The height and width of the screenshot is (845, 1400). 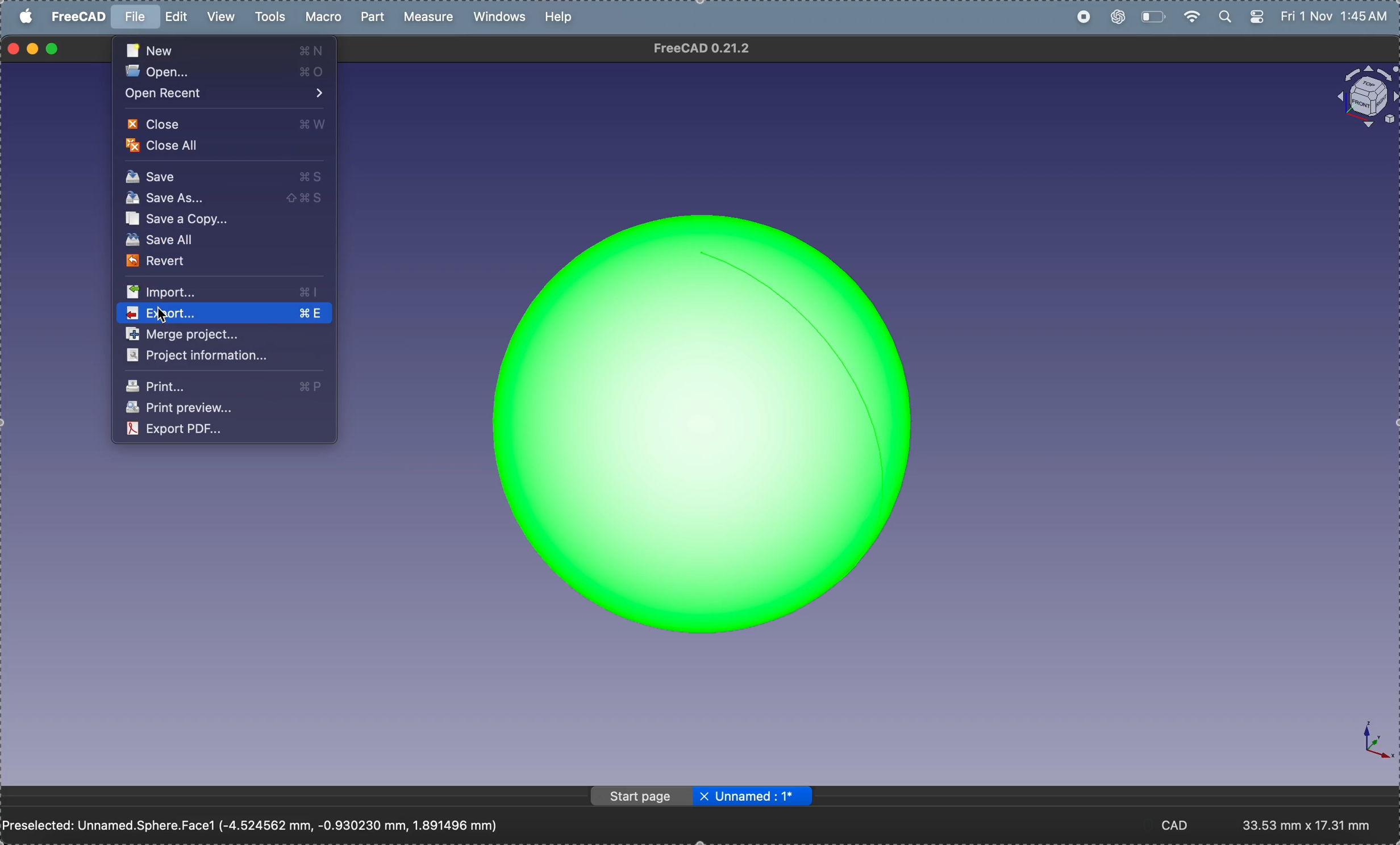 I want to click on start page, so click(x=637, y=796).